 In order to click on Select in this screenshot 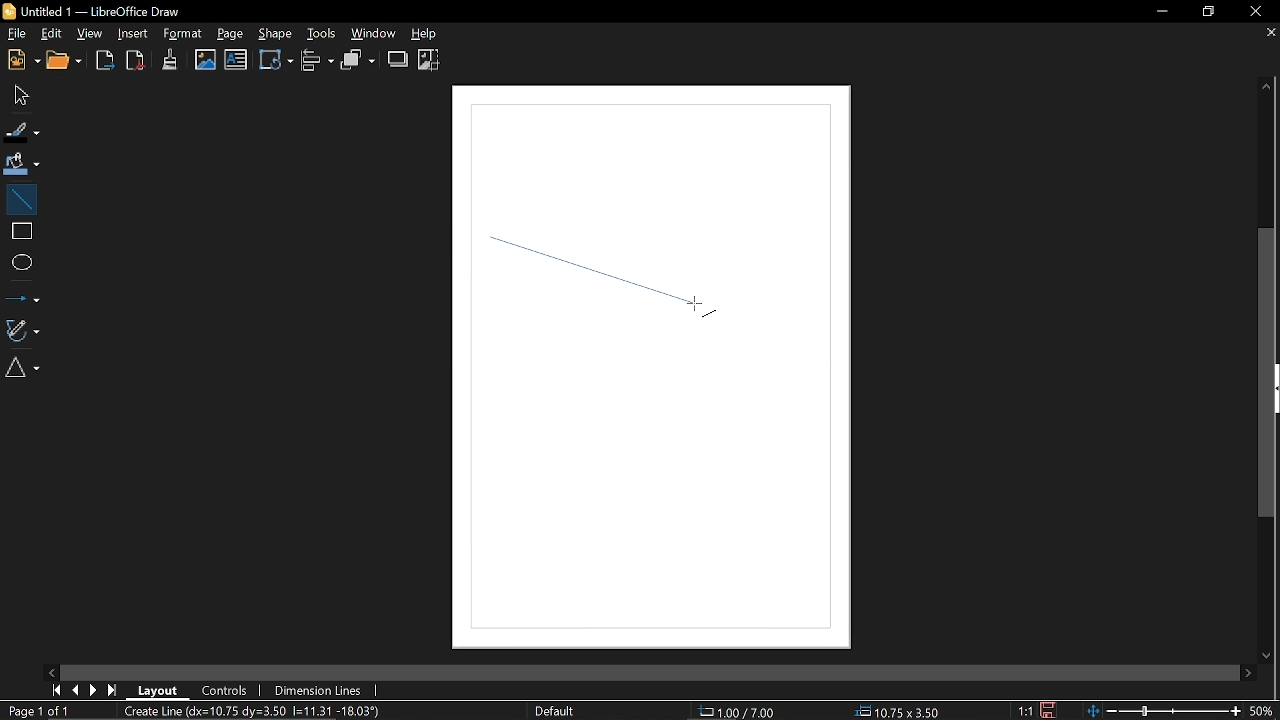, I will do `click(19, 96)`.